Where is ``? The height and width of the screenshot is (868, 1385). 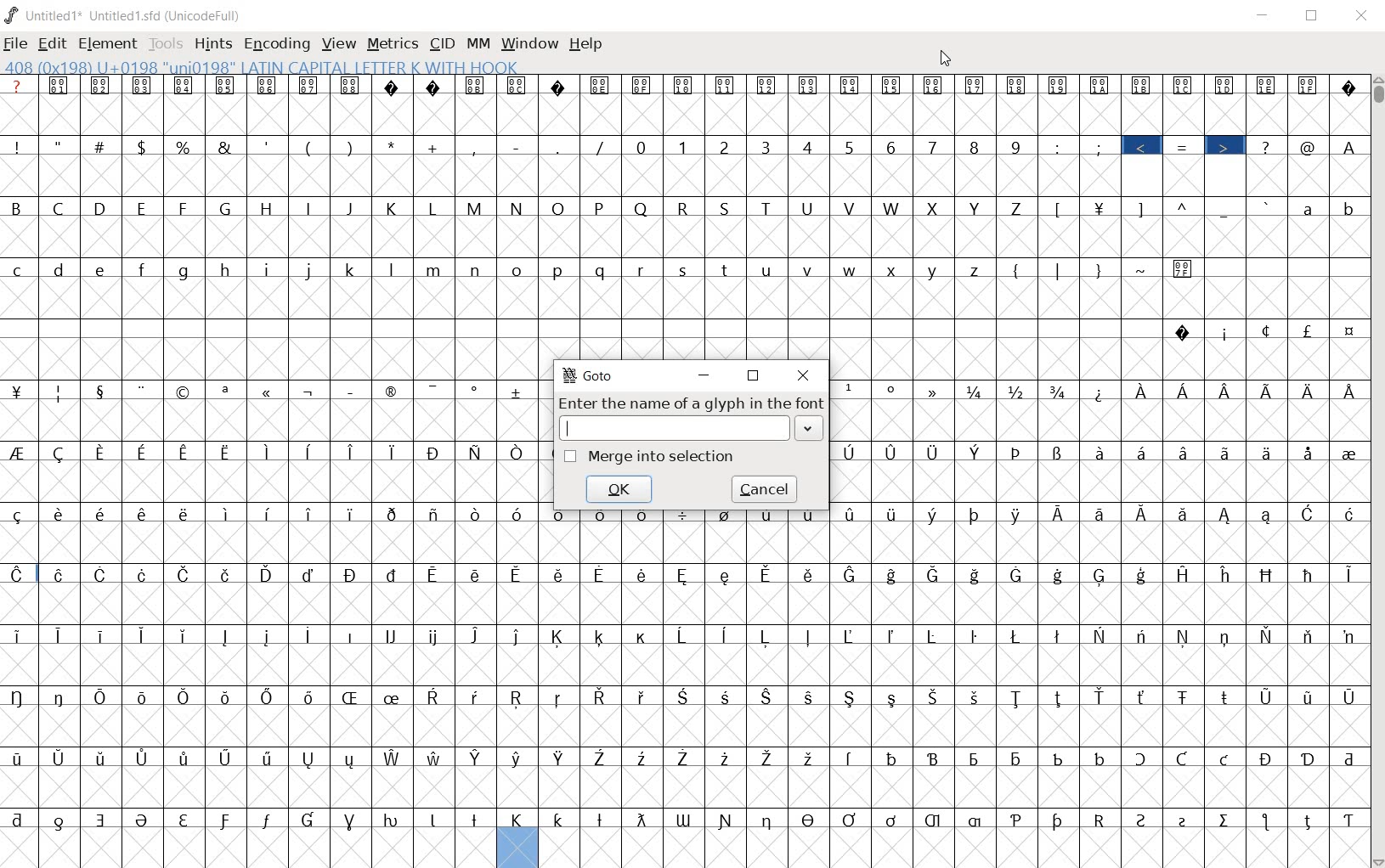
 is located at coordinates (1104, 392).